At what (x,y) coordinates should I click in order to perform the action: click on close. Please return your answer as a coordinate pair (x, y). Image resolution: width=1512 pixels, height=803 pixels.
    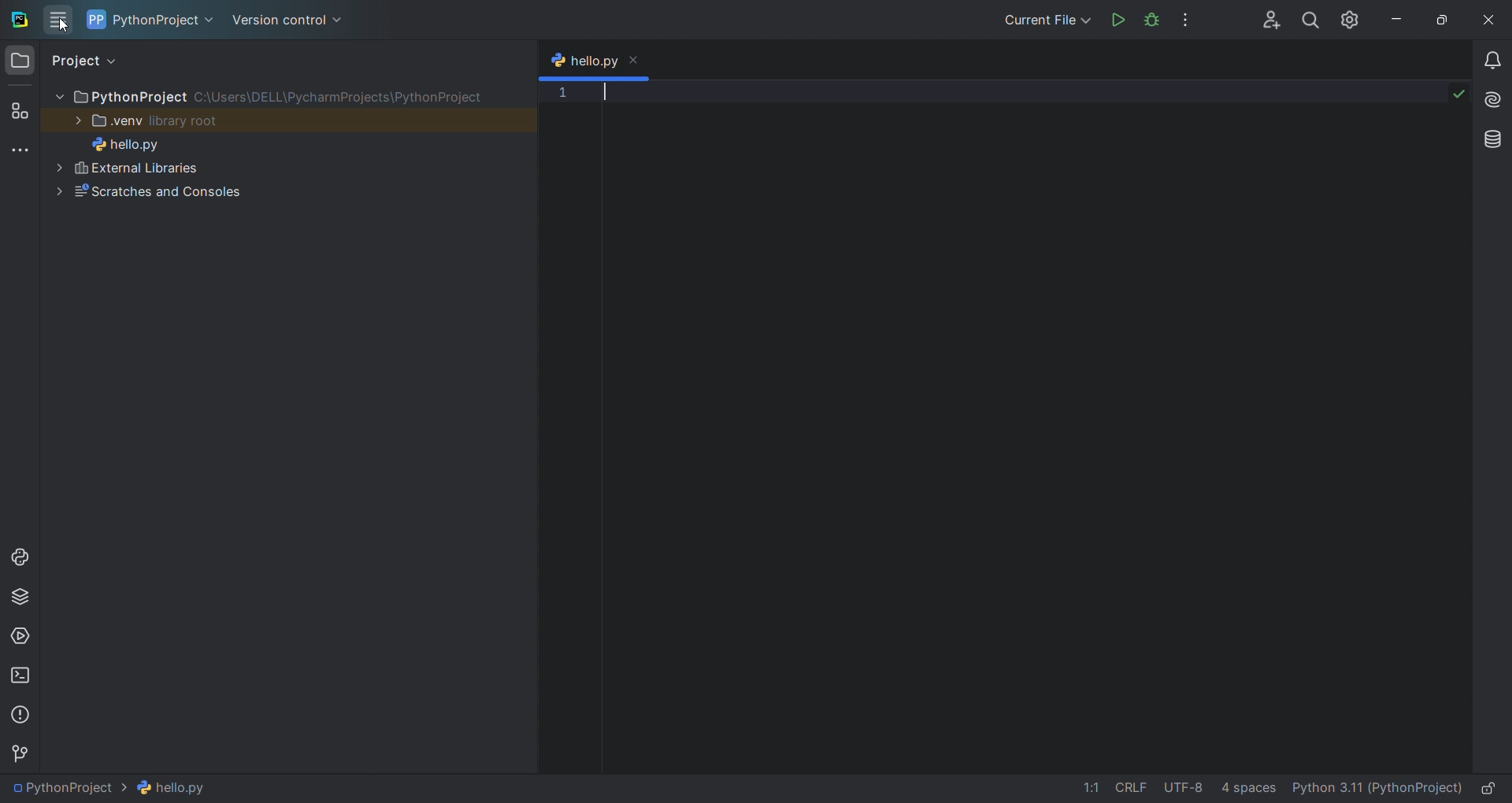
    Looking at the image, I should click on (635, 58).